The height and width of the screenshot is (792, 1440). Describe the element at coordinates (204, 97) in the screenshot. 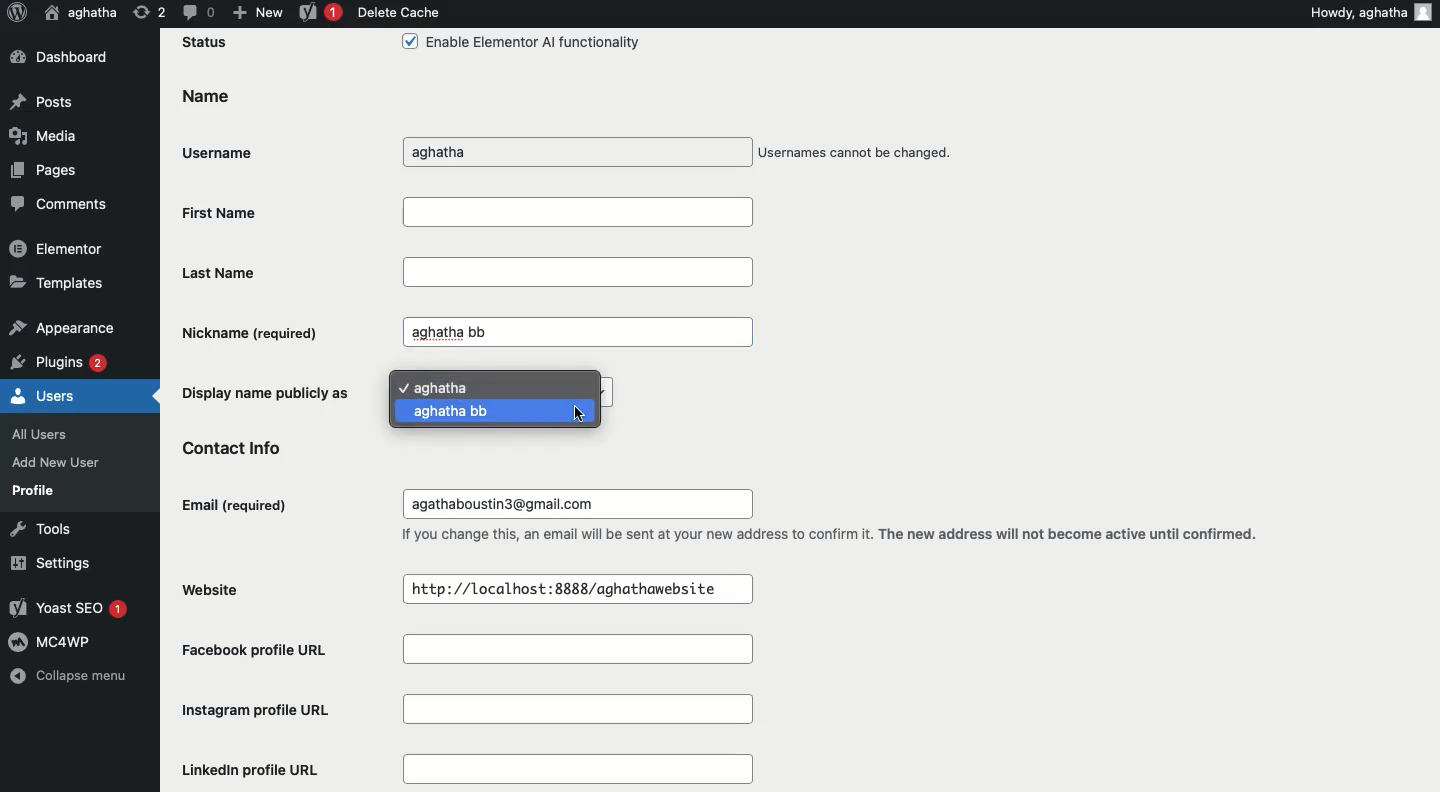

I see `Name` at that location.